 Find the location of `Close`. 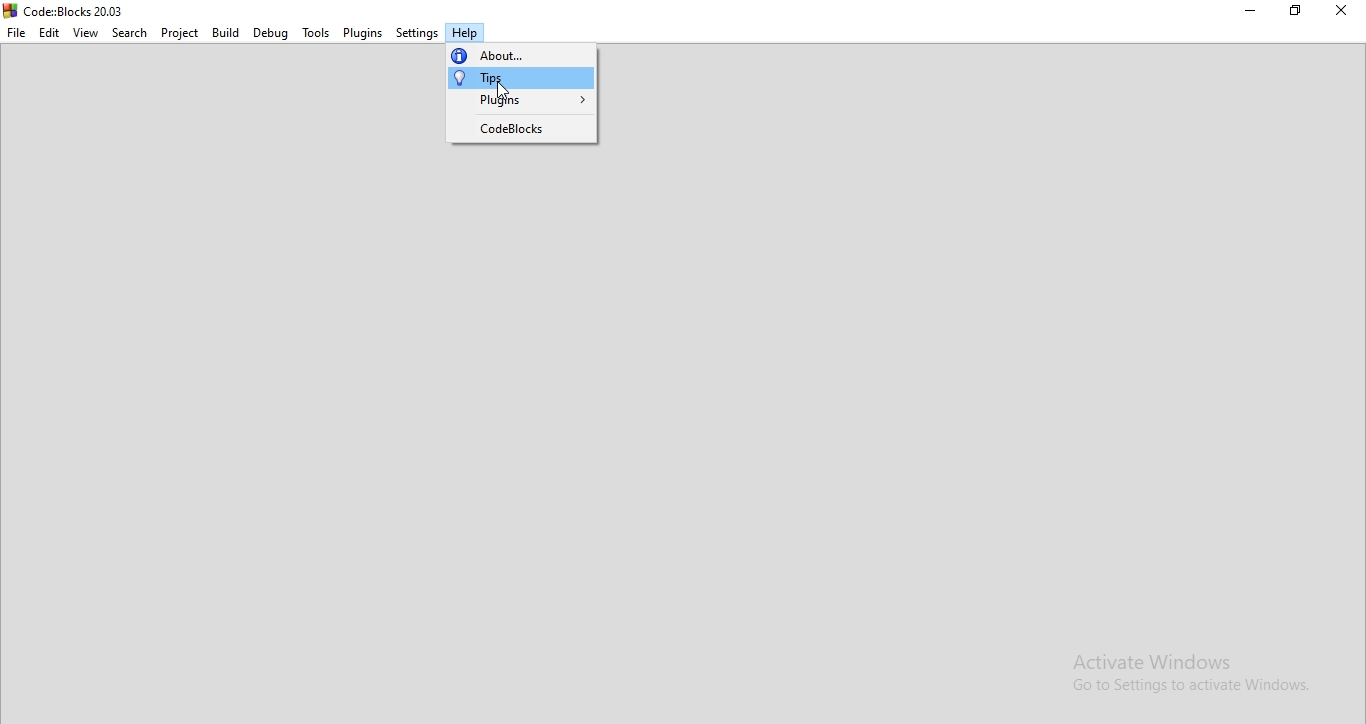

Close is located at coordinates (1342, 10).